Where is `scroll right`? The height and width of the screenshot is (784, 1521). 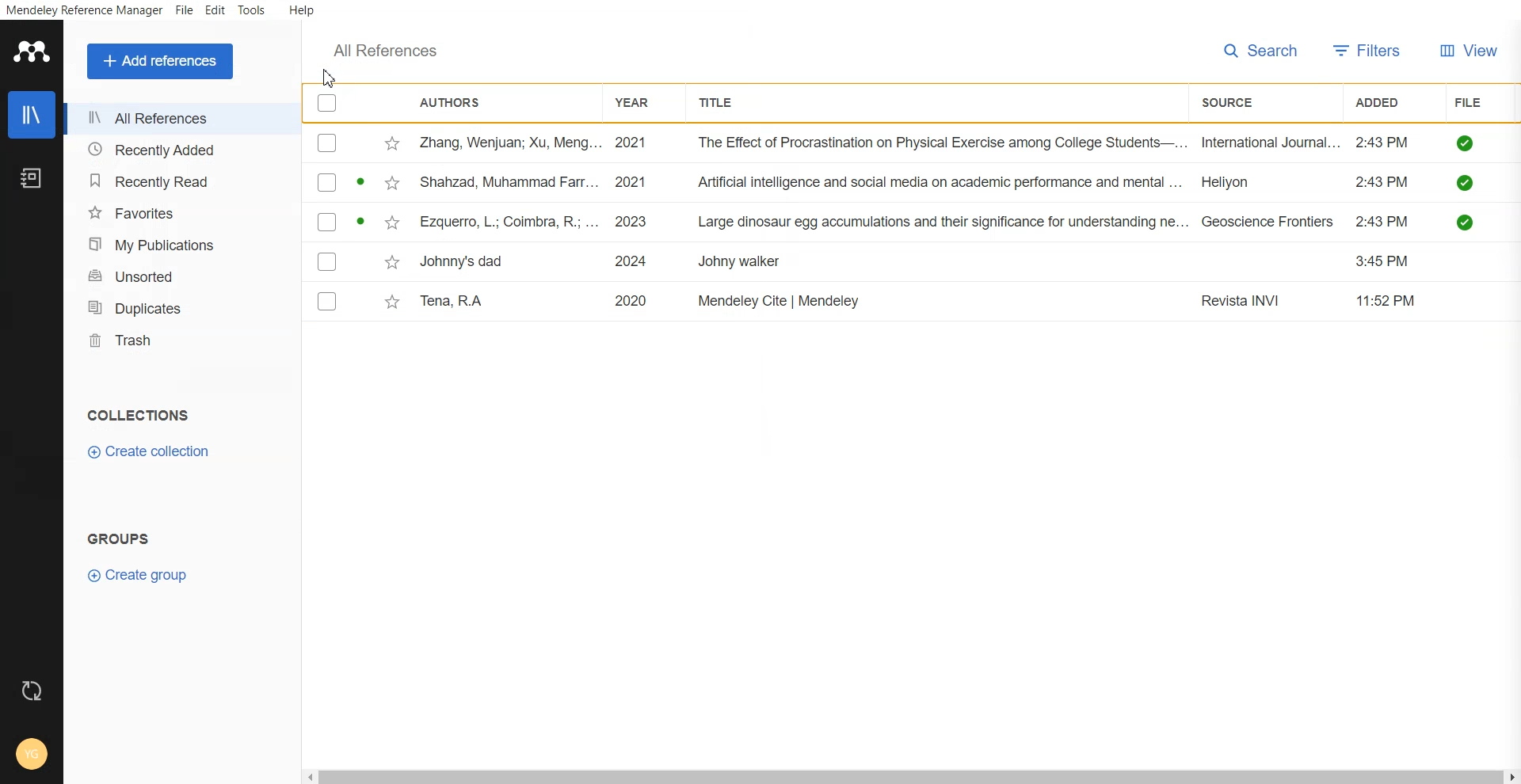 scroll right is located at coordinates (1511, 777).